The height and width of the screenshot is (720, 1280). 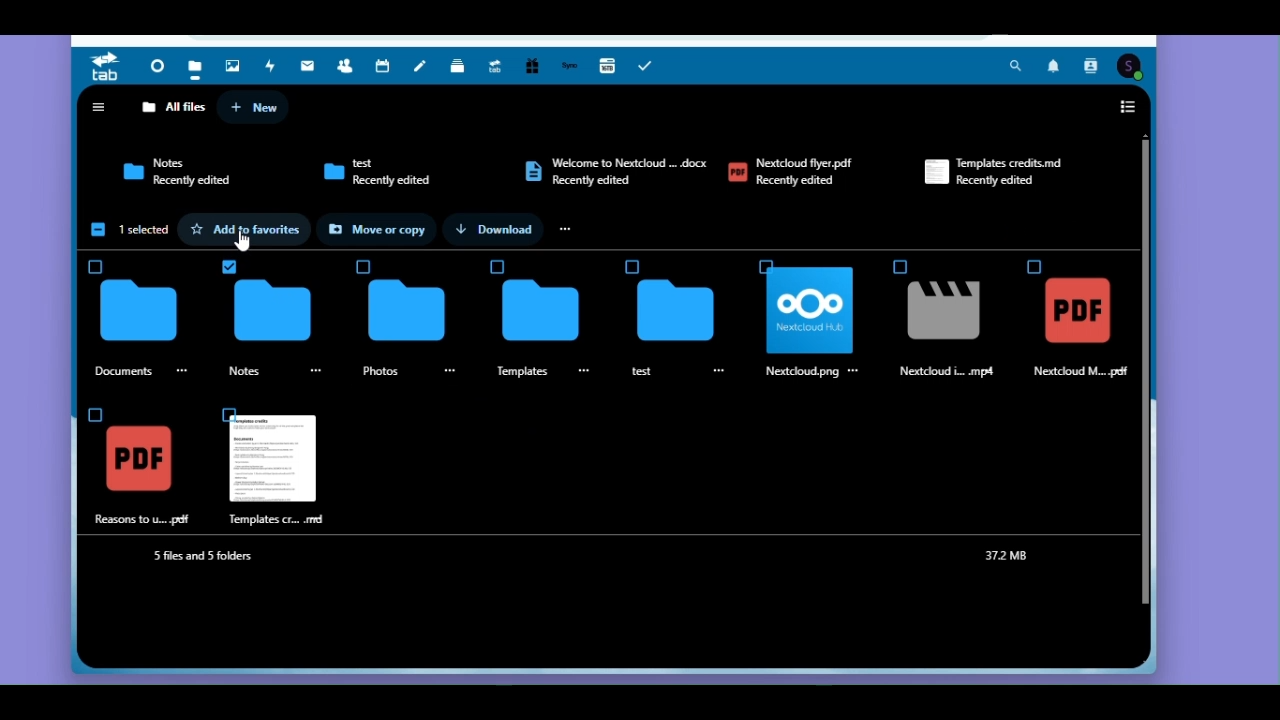 What do you see at coordinates (450, 371) in the screenshot?
I see `Ellipsis` at bounding box center [450, 371].